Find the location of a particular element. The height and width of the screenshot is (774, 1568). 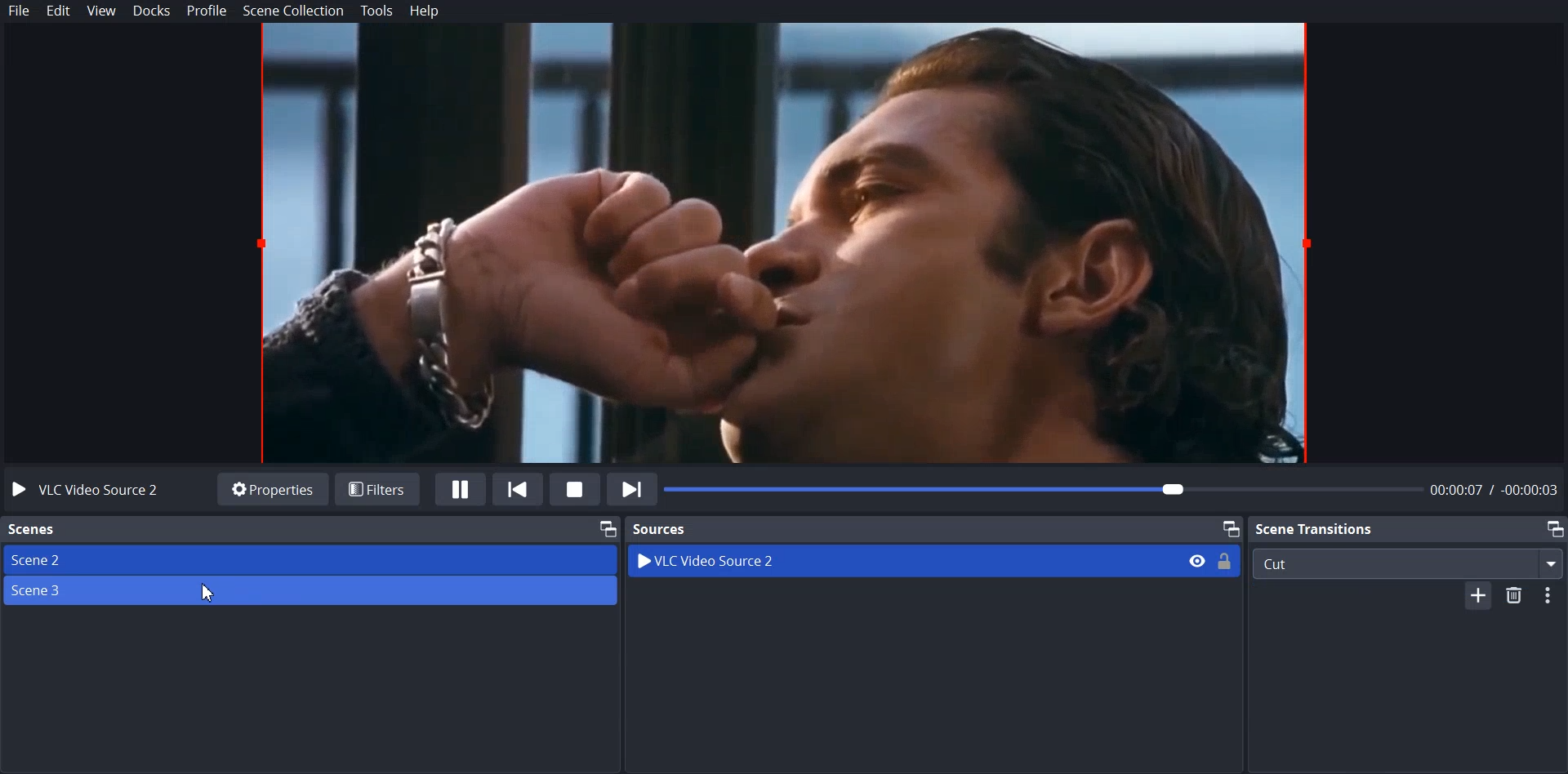

Maximize window is located at coordinates (606, 527).